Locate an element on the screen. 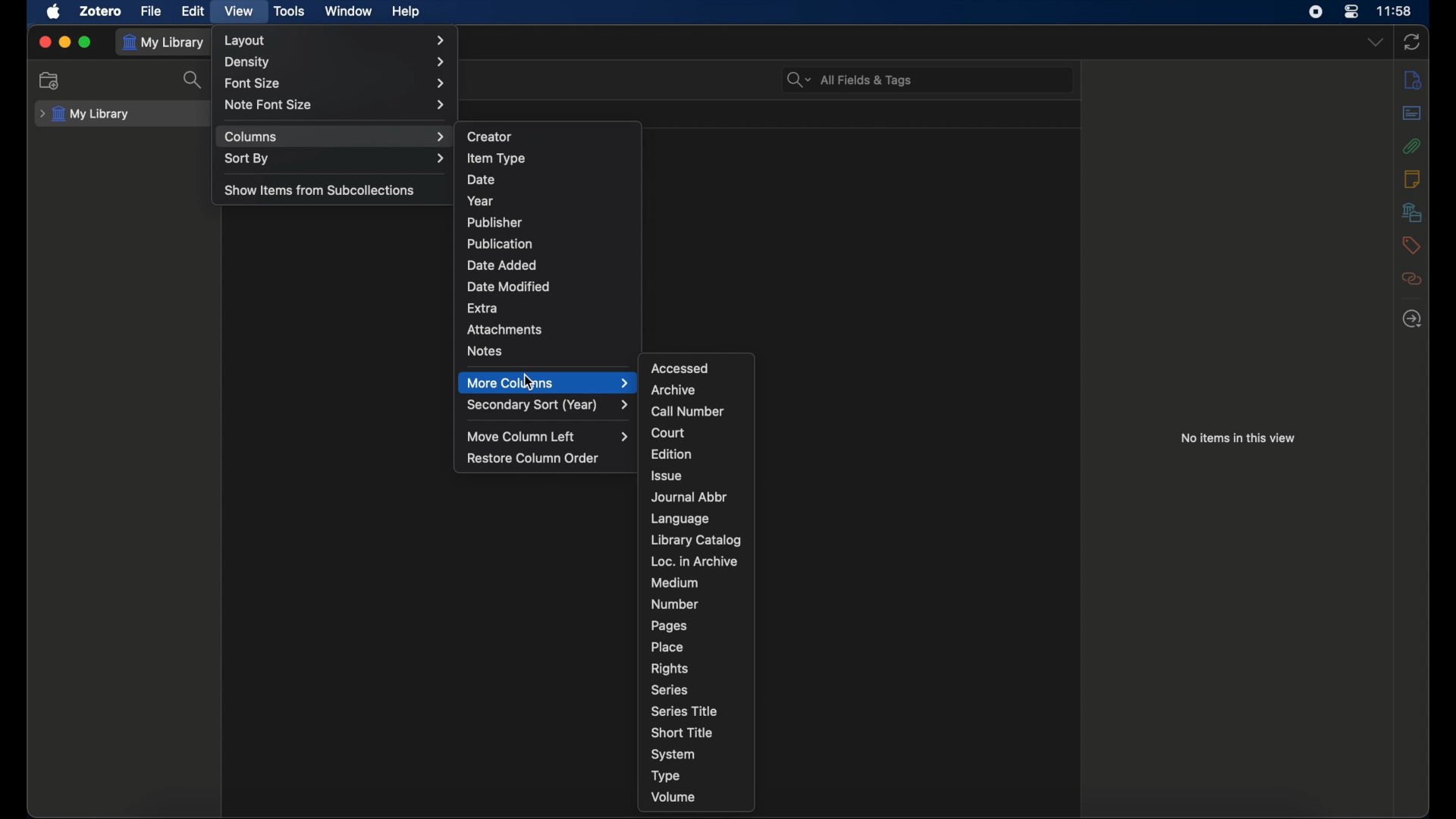 Image resolution: width=1456 pixels, height=819 pixels. minimize is located at coordinates (64, 42).